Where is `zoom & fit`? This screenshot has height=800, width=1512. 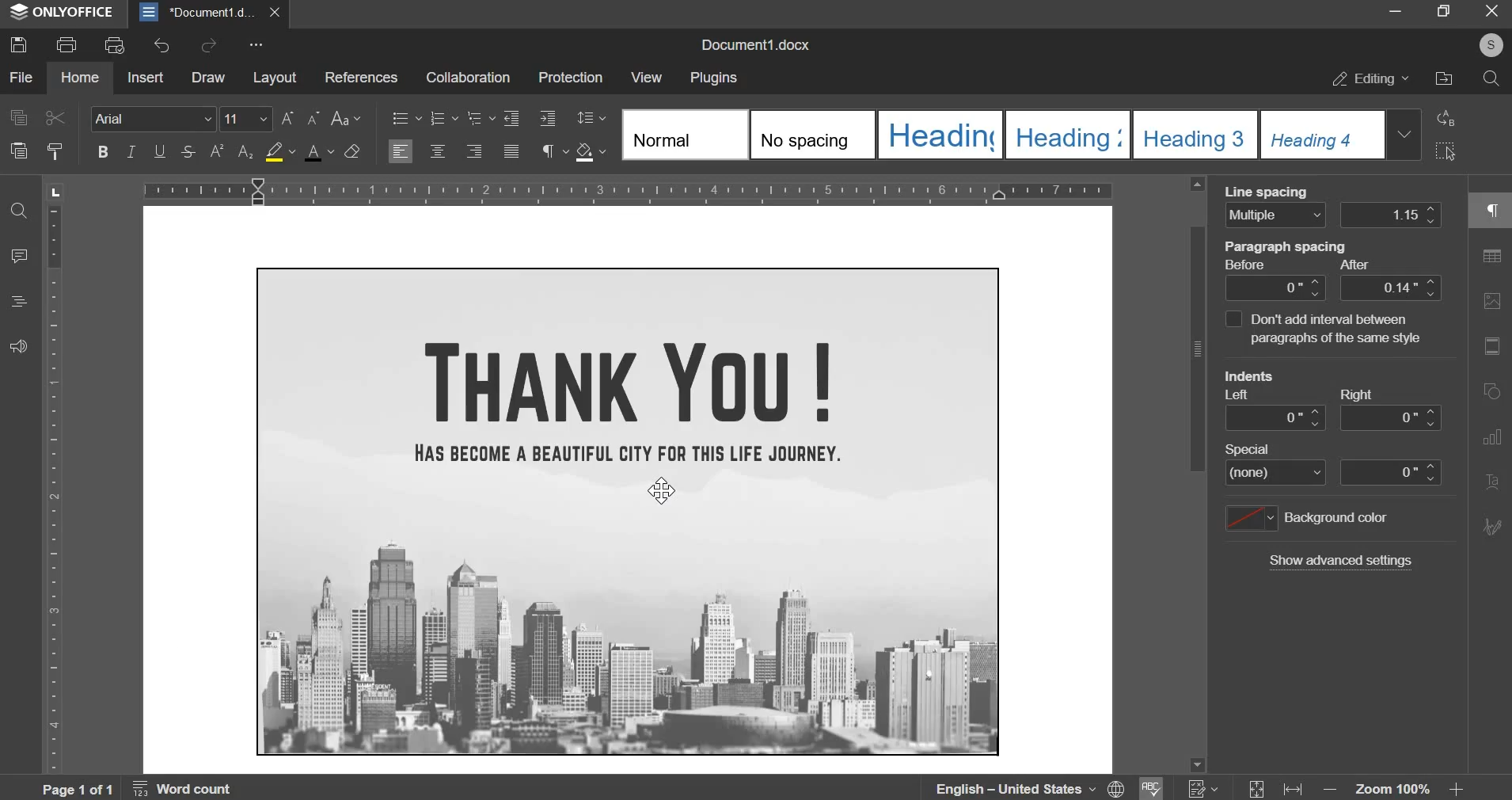
zoom & fit is located at coordinates (1354, 786).